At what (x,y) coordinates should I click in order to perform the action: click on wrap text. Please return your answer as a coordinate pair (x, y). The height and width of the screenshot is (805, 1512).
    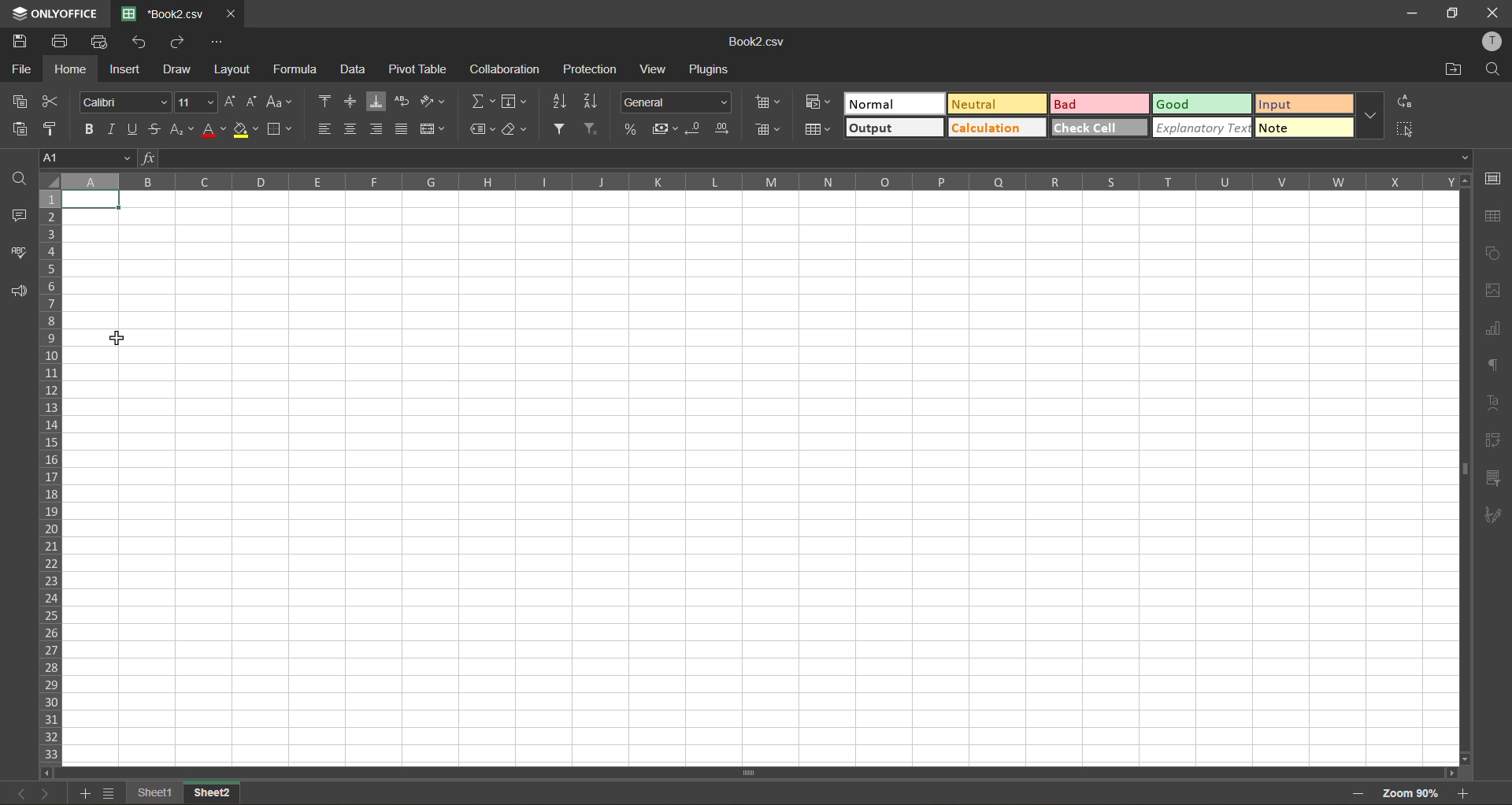
    Looking at the image, I should click on (402, 101).